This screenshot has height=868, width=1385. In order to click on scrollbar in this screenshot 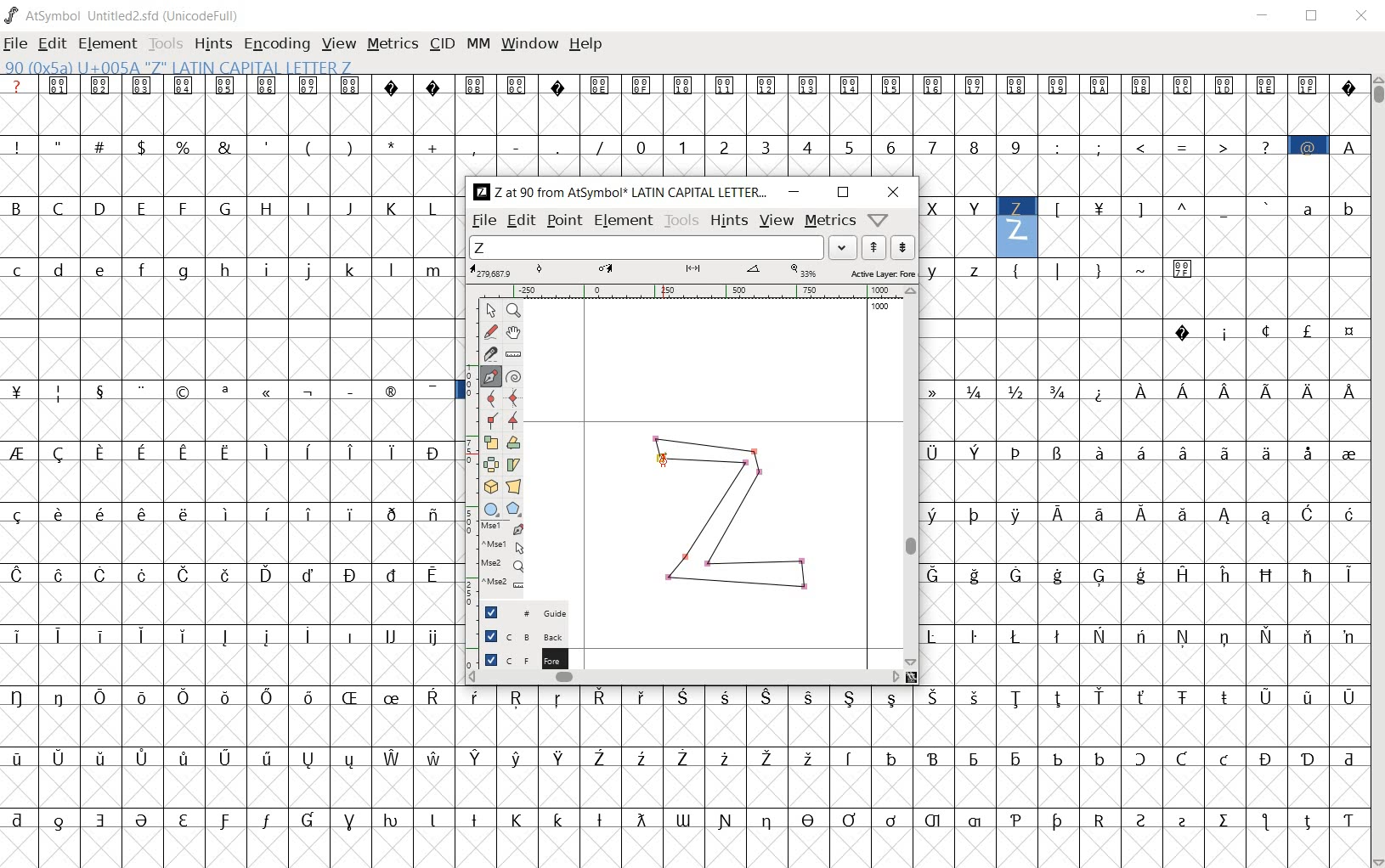, I will do `click(909, 476)`.